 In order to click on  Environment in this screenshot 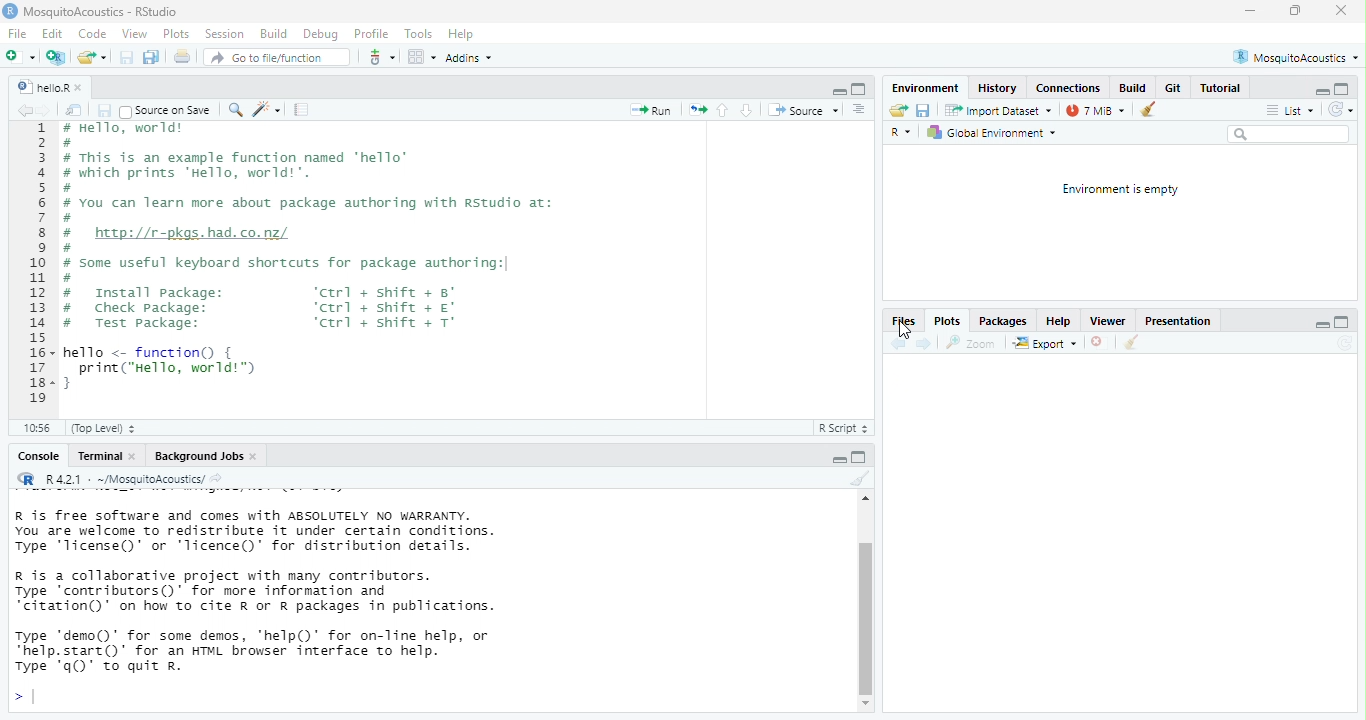, I will do `click(926, 87)`.